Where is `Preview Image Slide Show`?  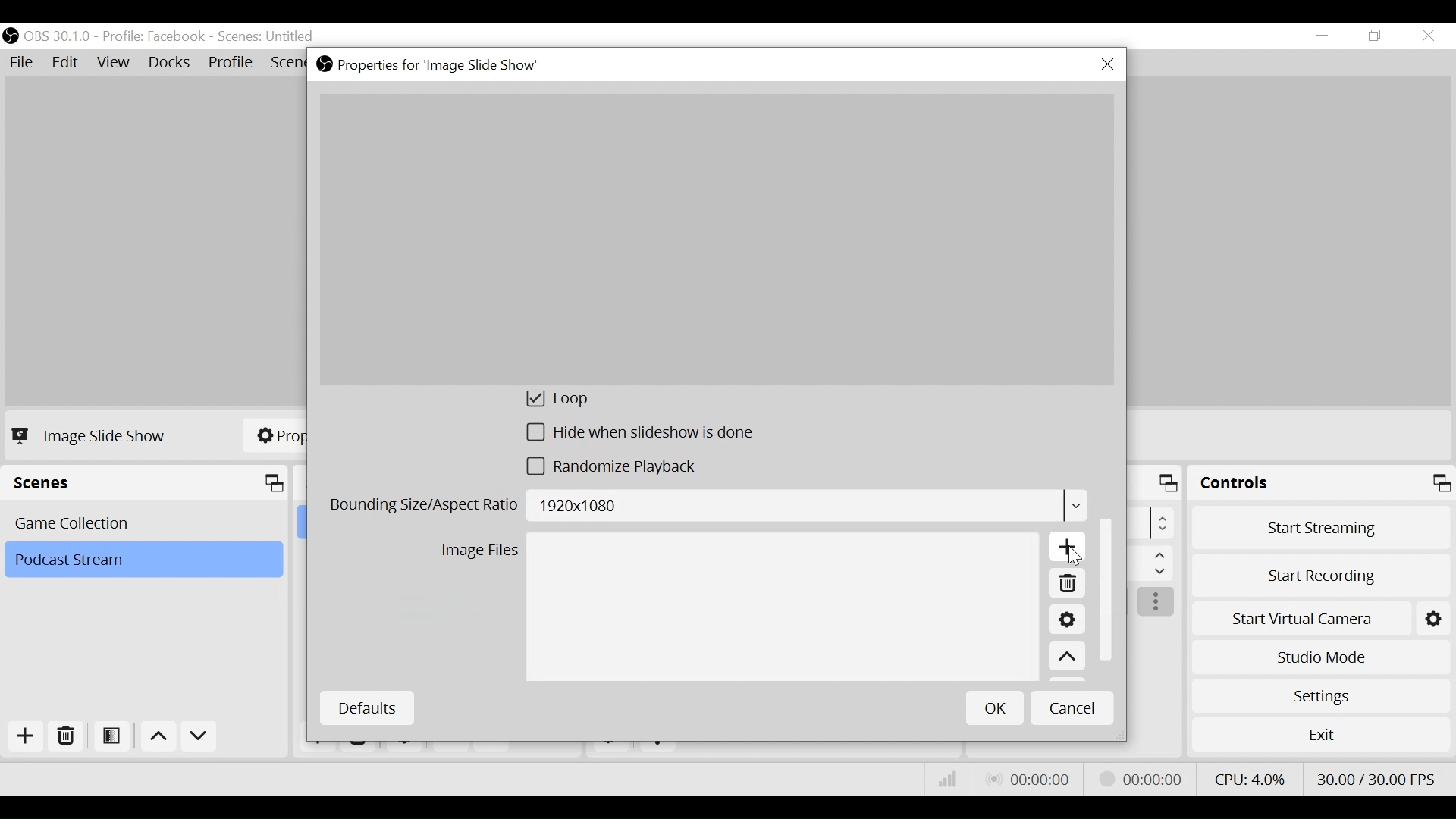 Preview Image Slide Show is located at coordinates (716, 240).